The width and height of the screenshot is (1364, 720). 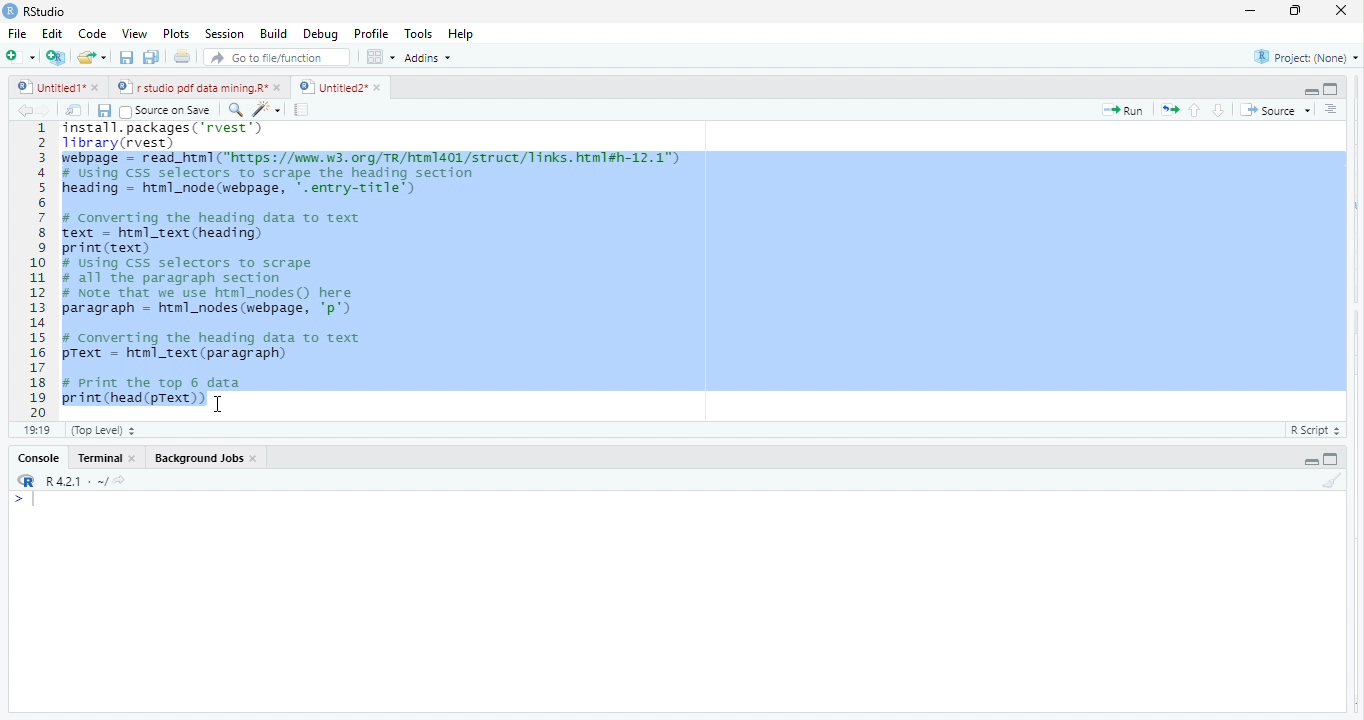 I want to click on Background Jobs, so click(x=196, y=456).